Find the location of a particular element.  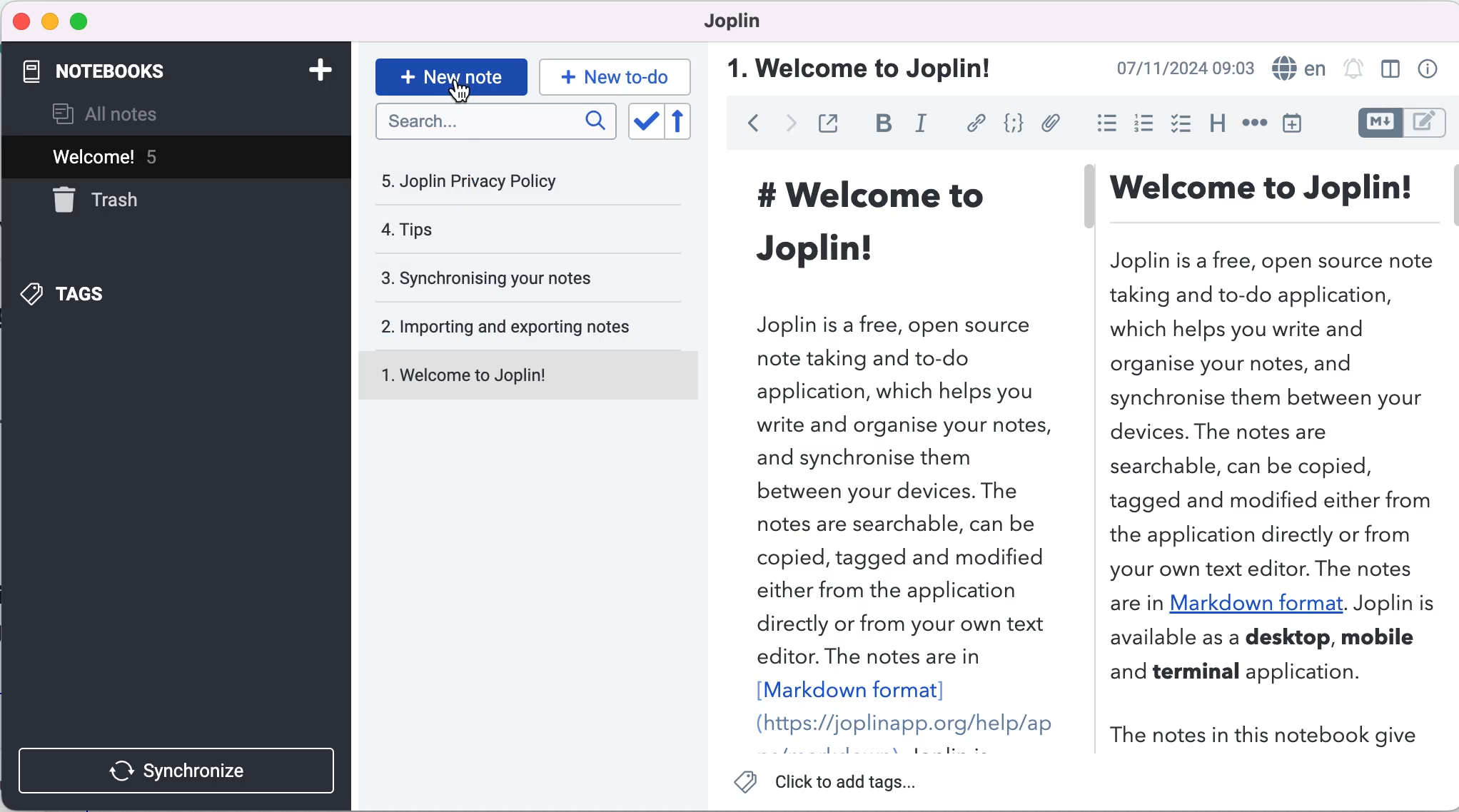

new note is located at coordinates (450, 73).